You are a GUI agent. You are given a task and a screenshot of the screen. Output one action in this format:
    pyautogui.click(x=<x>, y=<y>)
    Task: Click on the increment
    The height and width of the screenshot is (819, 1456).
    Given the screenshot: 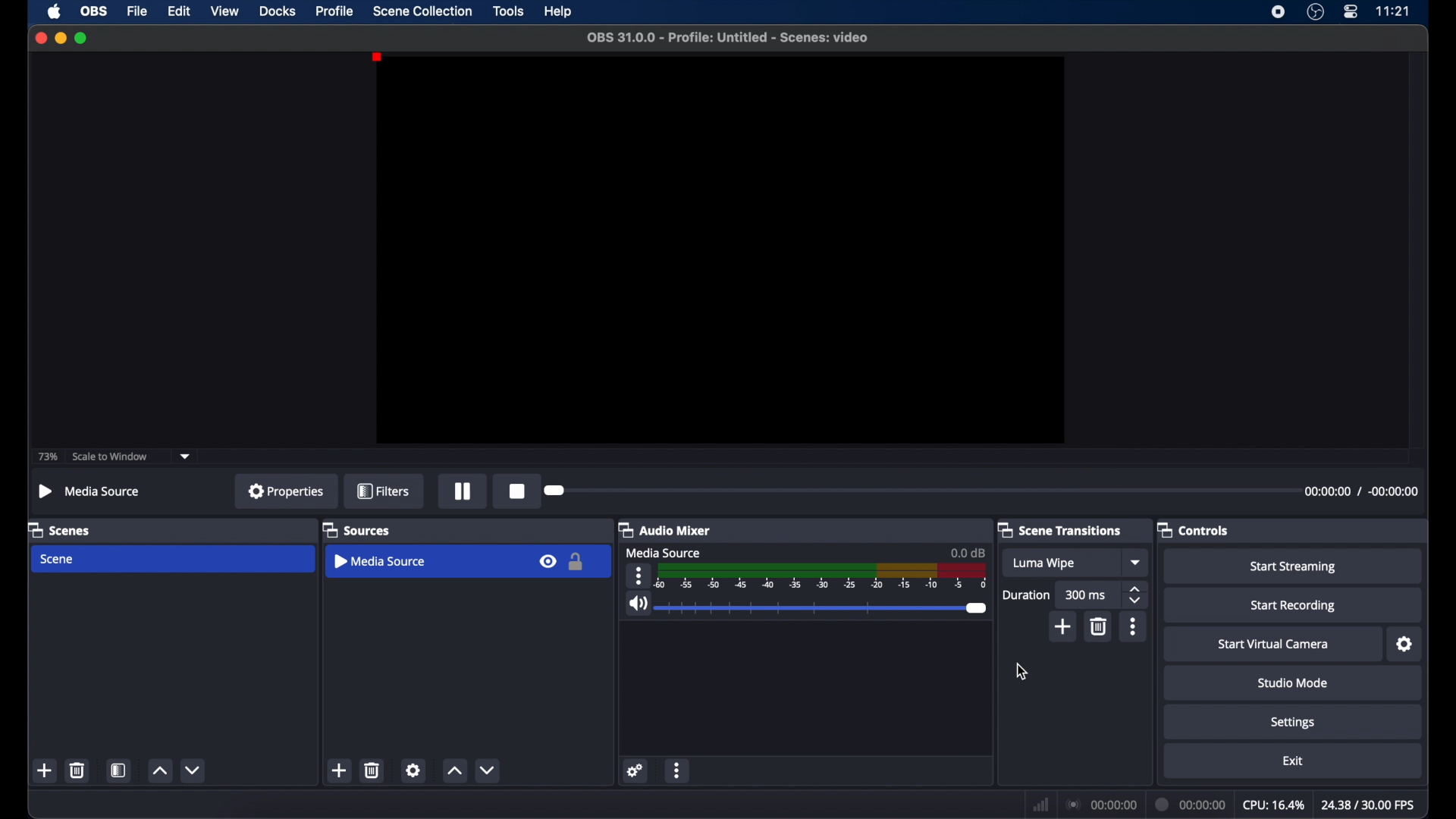 What is the action you would take?
    pyautogui.click(x=159, y=770)
    